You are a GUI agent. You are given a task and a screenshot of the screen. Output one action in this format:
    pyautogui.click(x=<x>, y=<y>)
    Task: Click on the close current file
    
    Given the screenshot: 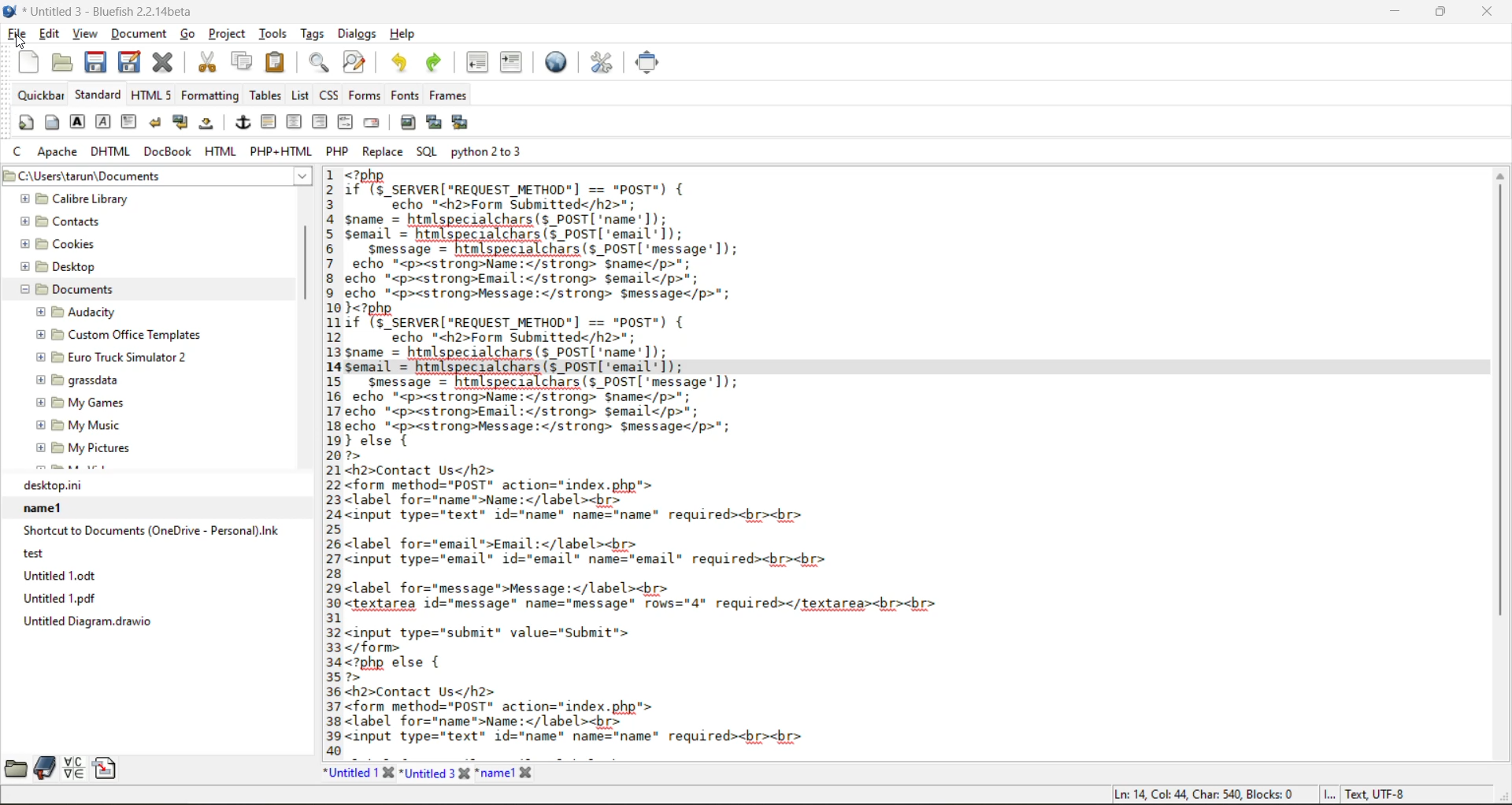 What is the action you would take?
    pyautogui.click(x=166, y=63)
    